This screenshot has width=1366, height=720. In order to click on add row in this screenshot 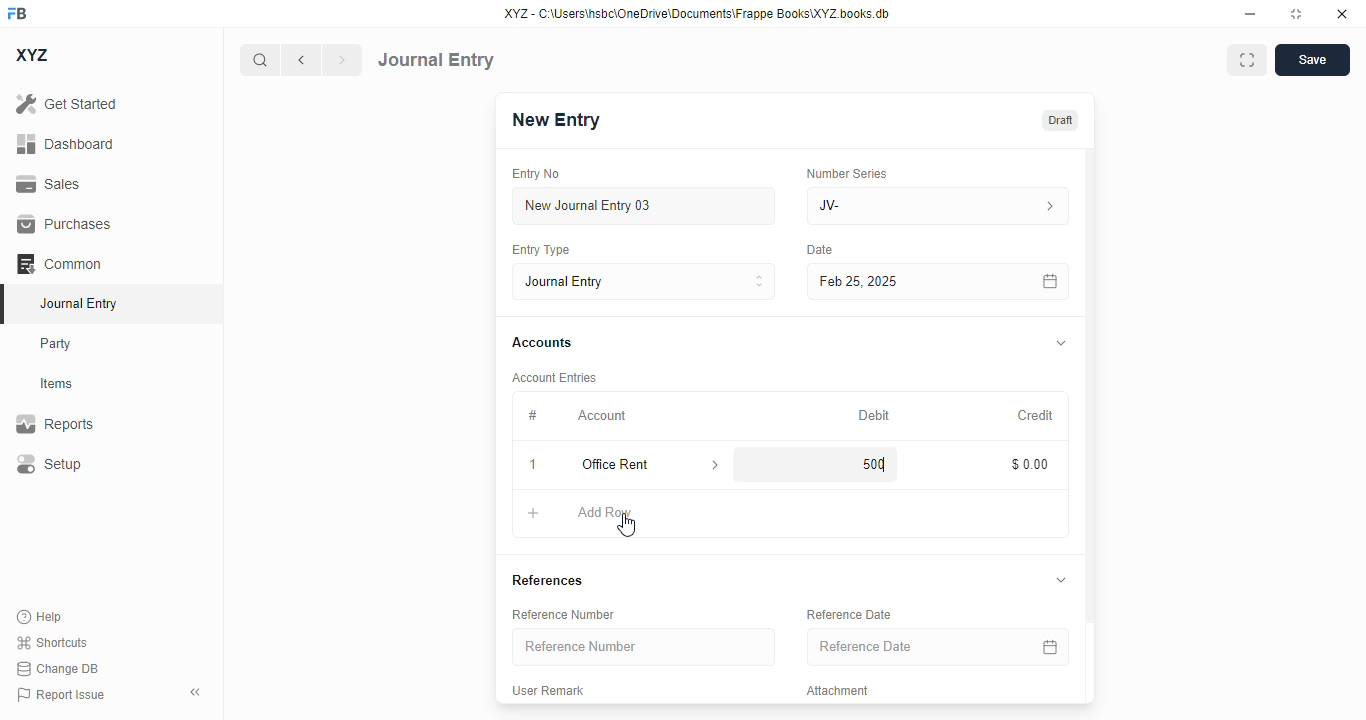, I will do `click(603, 512)`.